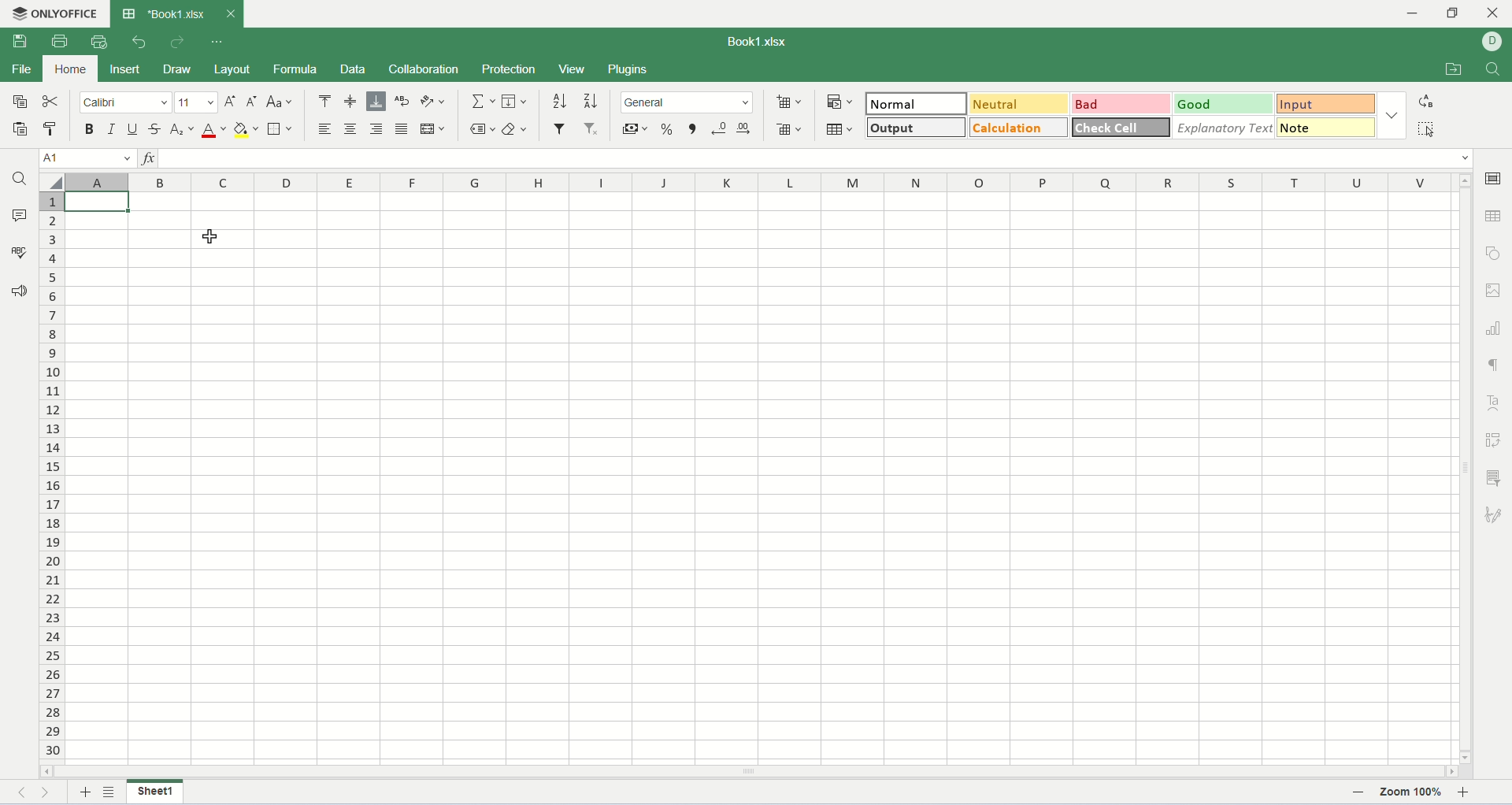 The image size is (1512, 805). I want to click on onlyoffice, so click(53, 11).